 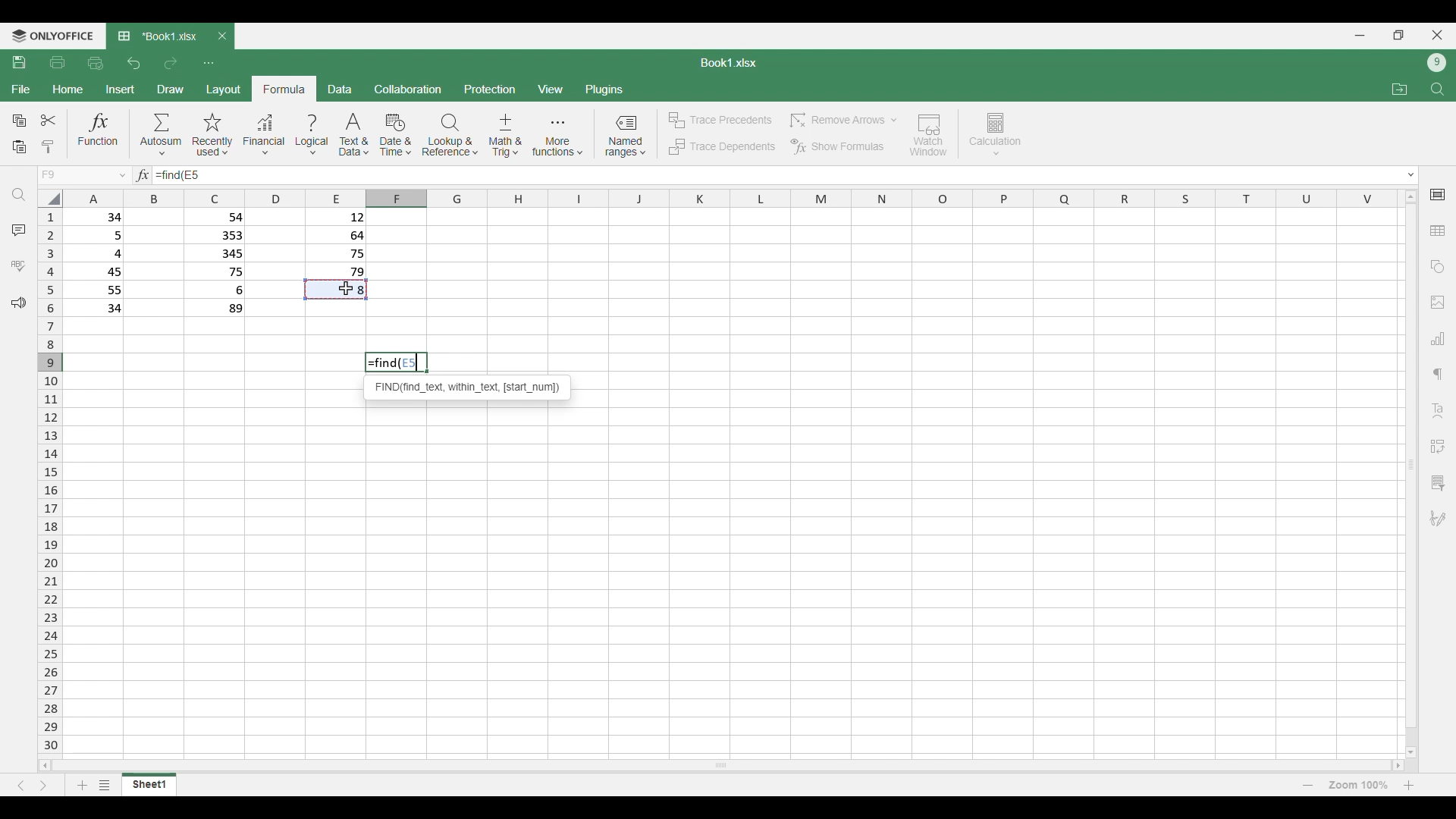 What do you see at coordinates (120, 89) in the screenshot?
I see `Insert menu` at bounding box center [120, 89].